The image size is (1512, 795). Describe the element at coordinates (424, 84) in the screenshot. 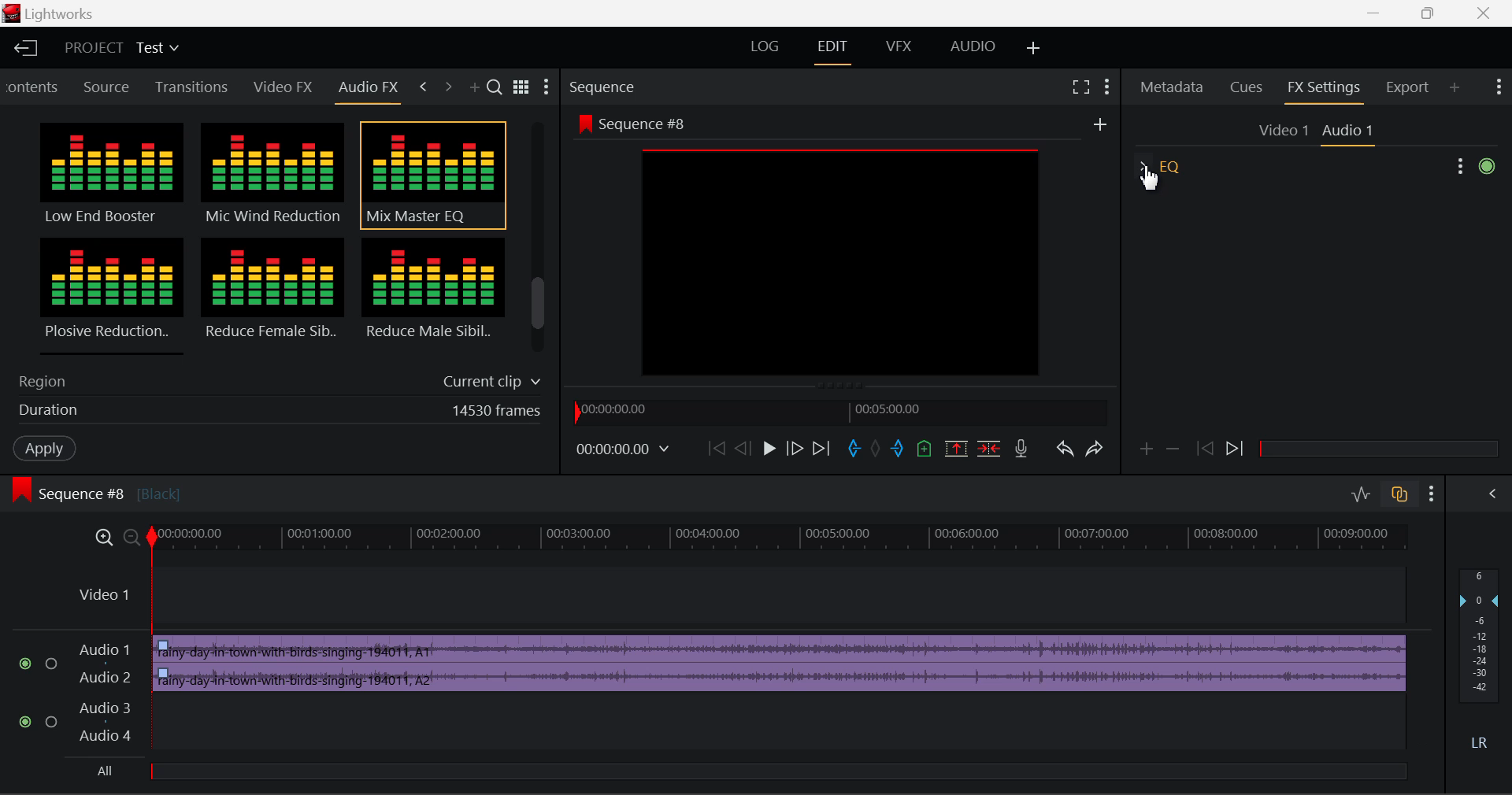

I see `Previous Tab` at that location.